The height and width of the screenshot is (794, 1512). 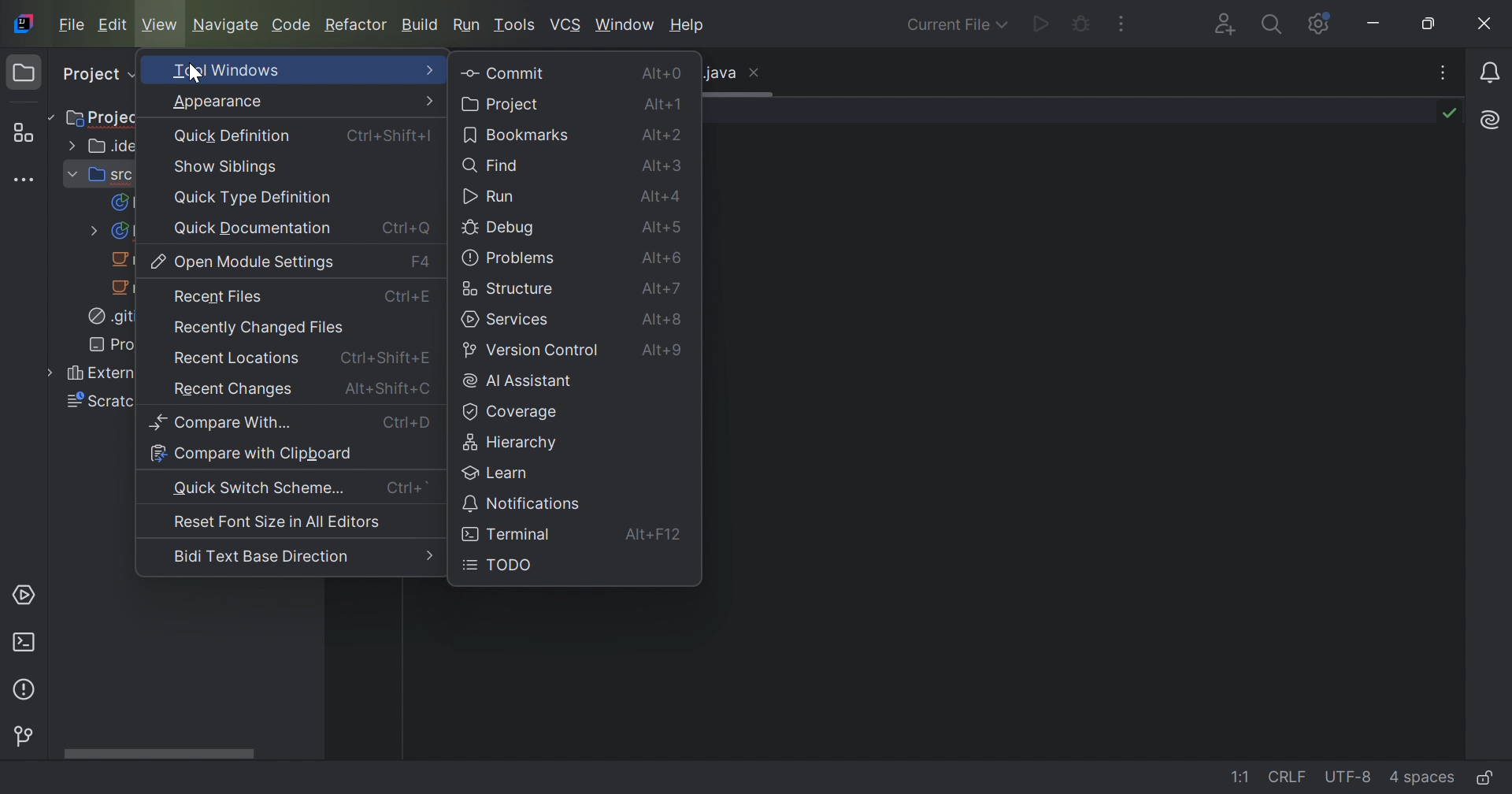 I want to click on TODO, so click(x=500, y=565).